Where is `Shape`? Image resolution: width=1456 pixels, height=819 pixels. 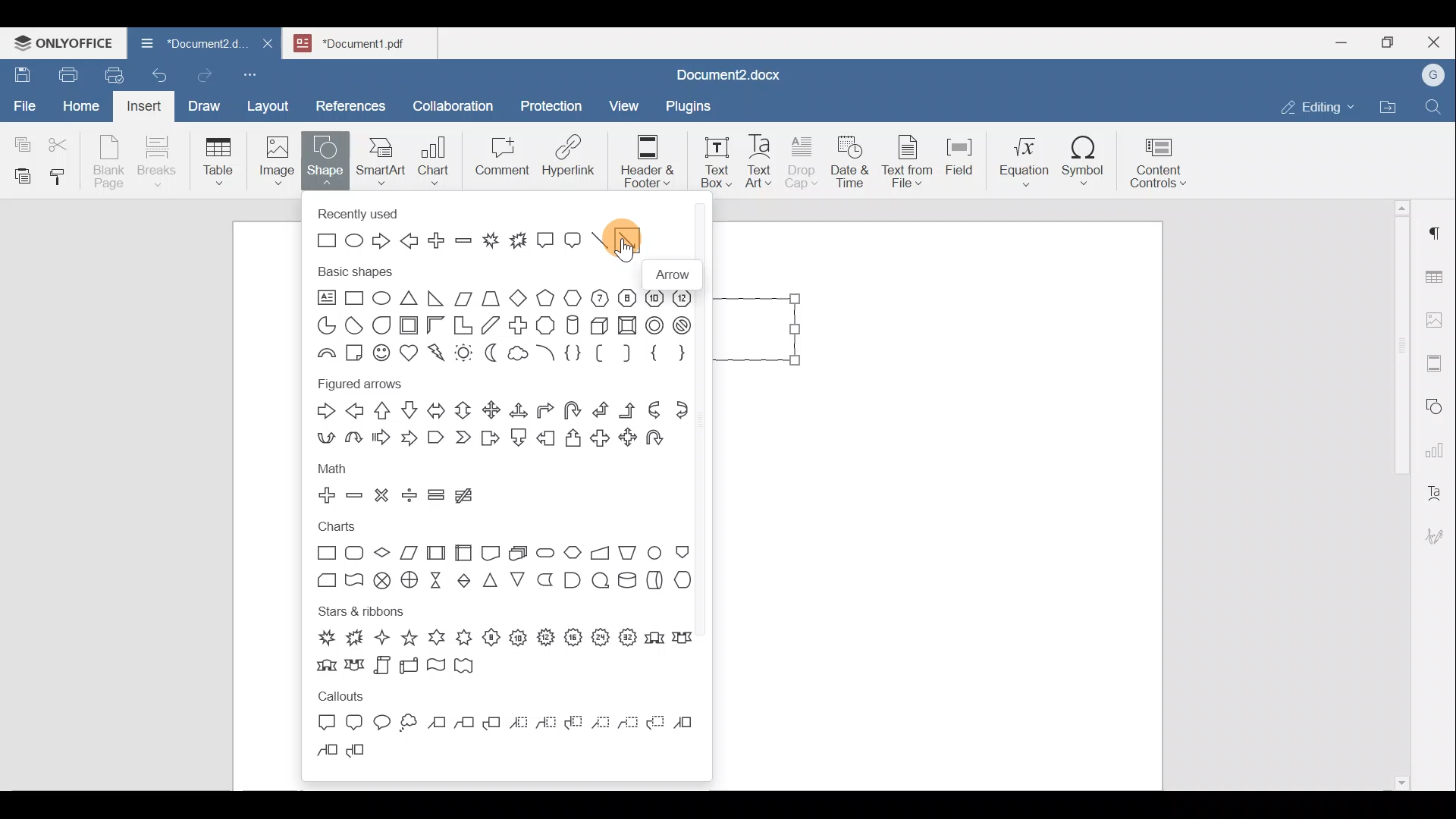 Shape is located at coordinates (327, 153).